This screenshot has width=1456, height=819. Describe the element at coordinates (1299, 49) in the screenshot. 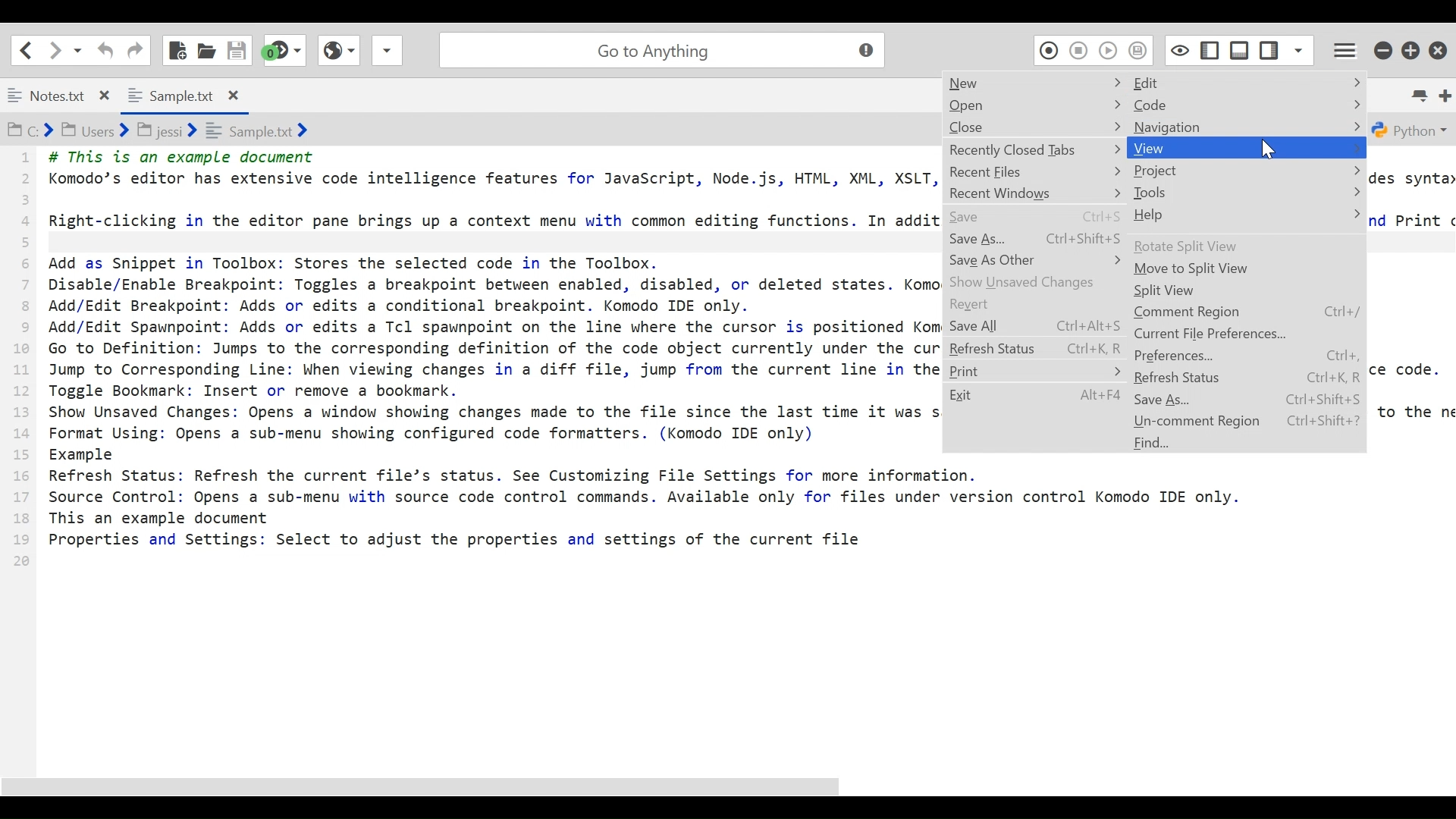

I see `Show Specific Sidebar` at that location.